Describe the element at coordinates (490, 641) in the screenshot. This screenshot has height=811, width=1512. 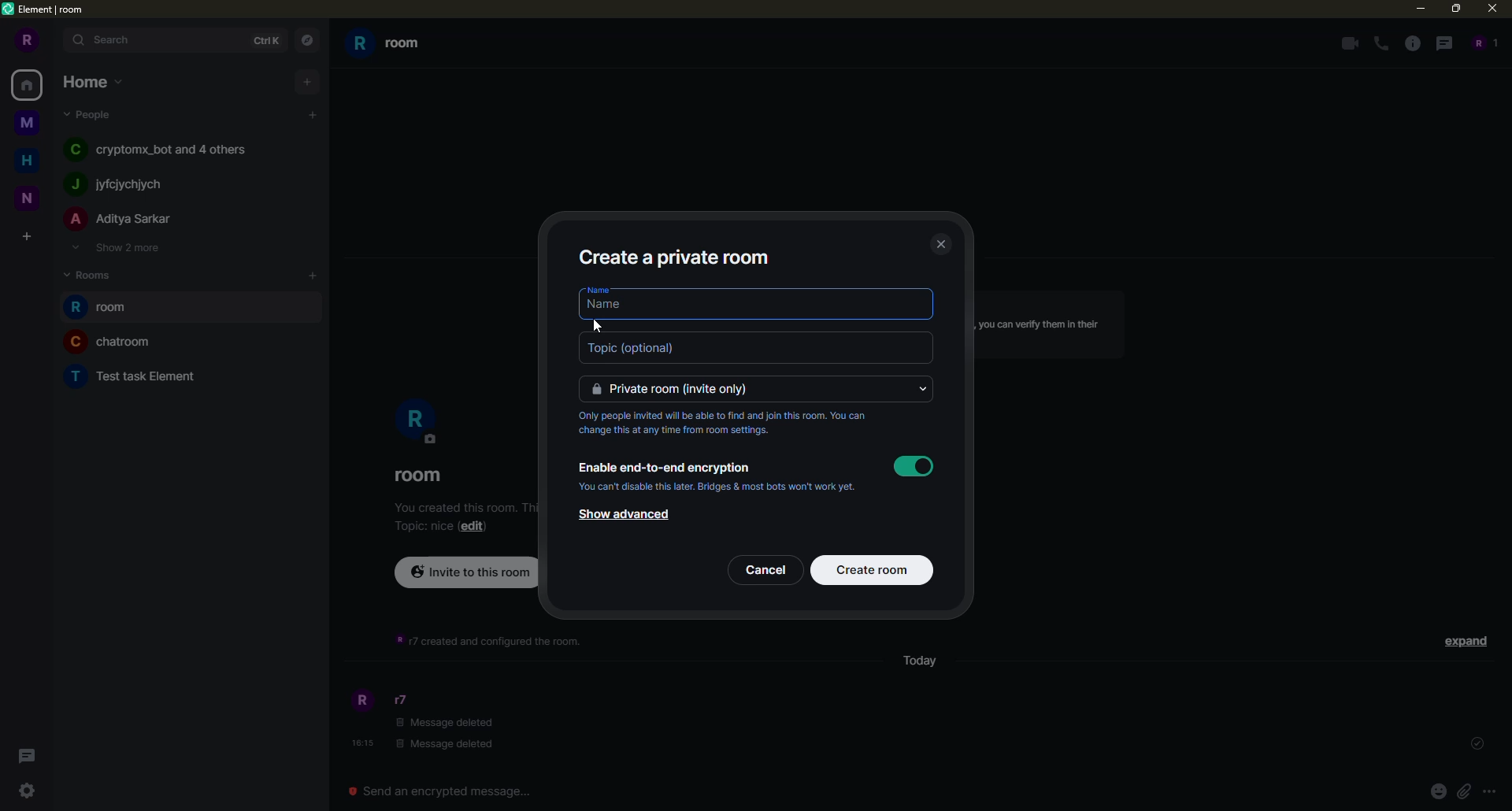
I see `info` at that location.